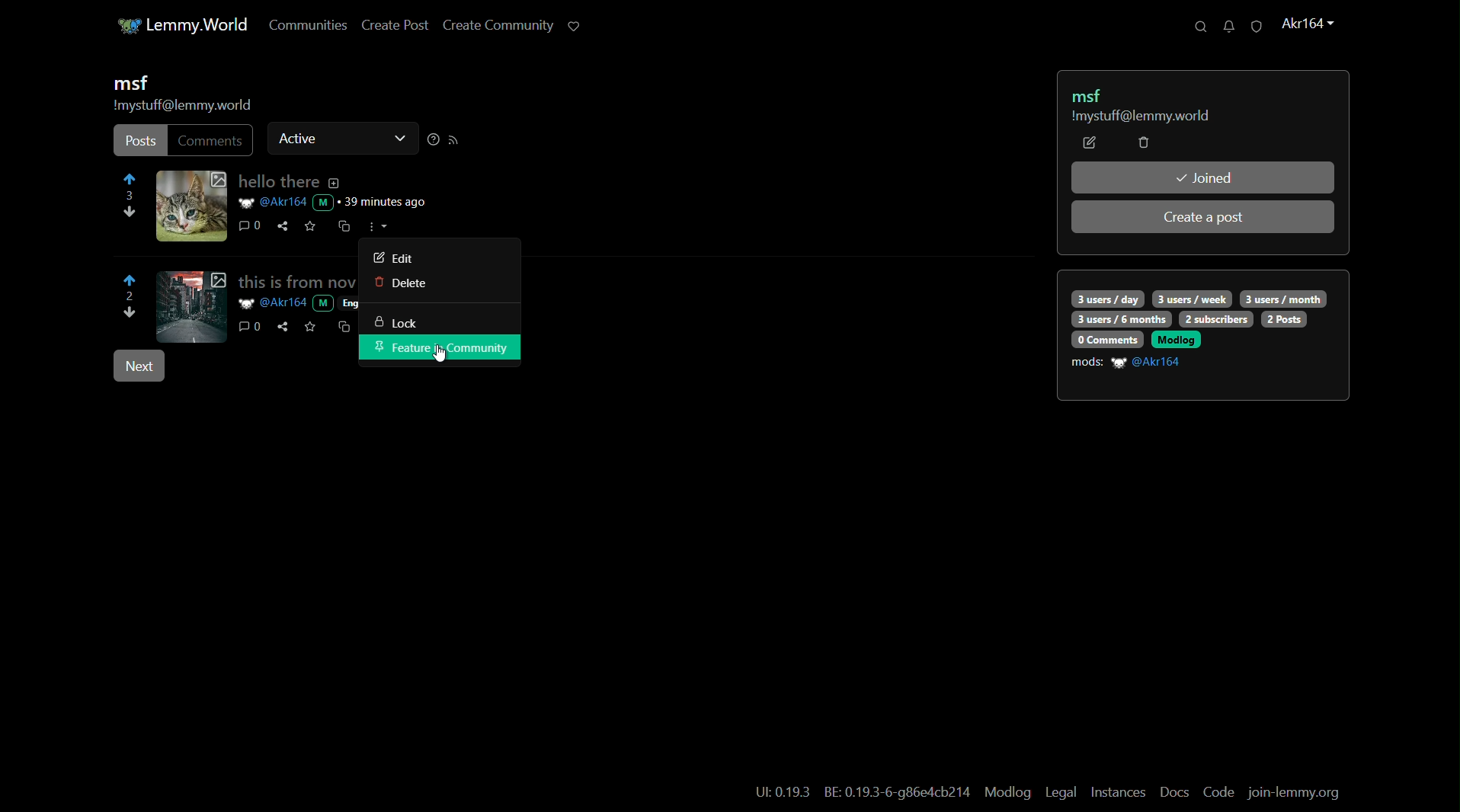 Image resolution: width=1460 pixels, height=812 pixels. Describe the element at coordinates (1176, 339) in the screenshot. I see `modlog` at that location.